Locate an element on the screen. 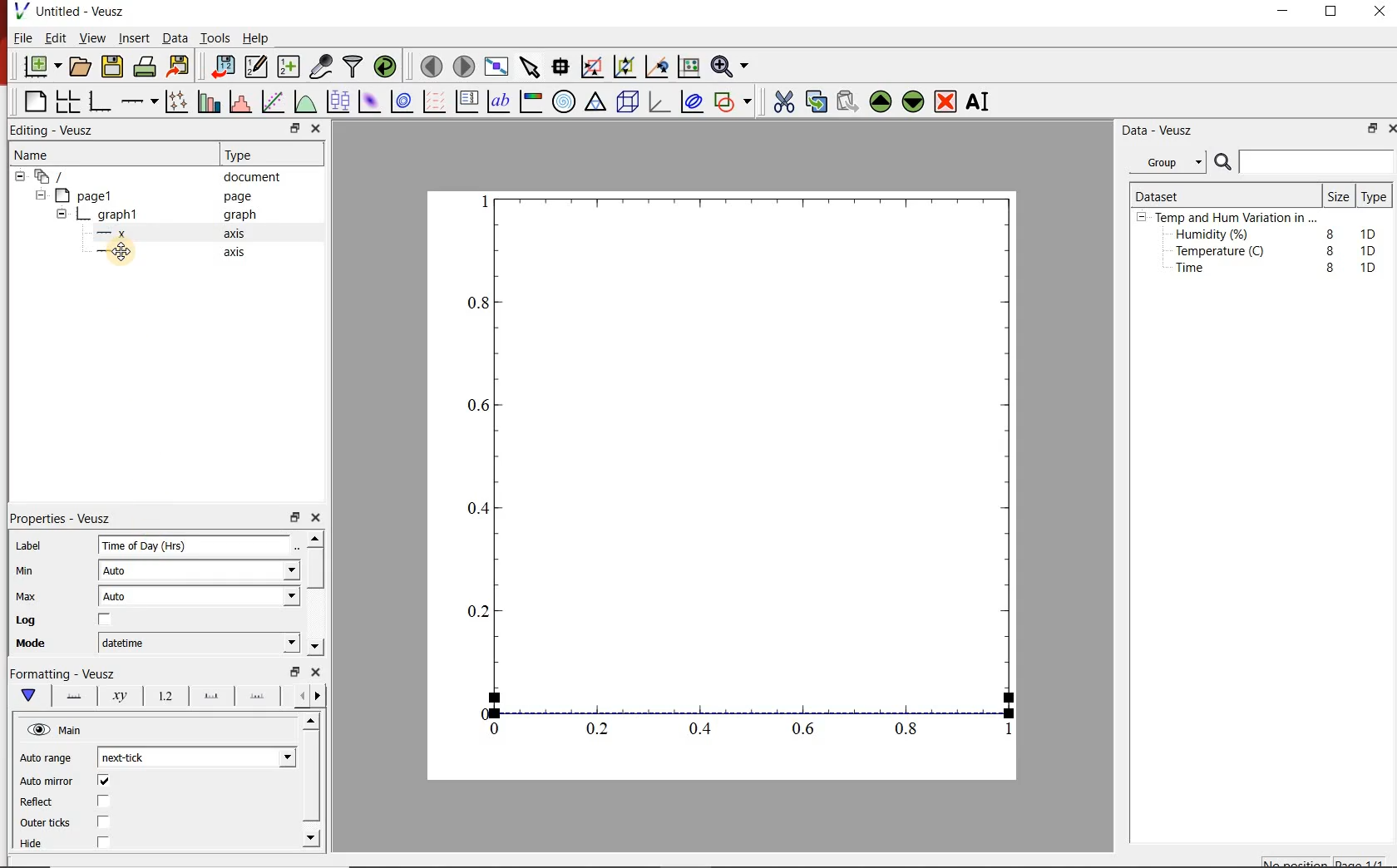  plot a vector field is located at coordinates (435, 101).